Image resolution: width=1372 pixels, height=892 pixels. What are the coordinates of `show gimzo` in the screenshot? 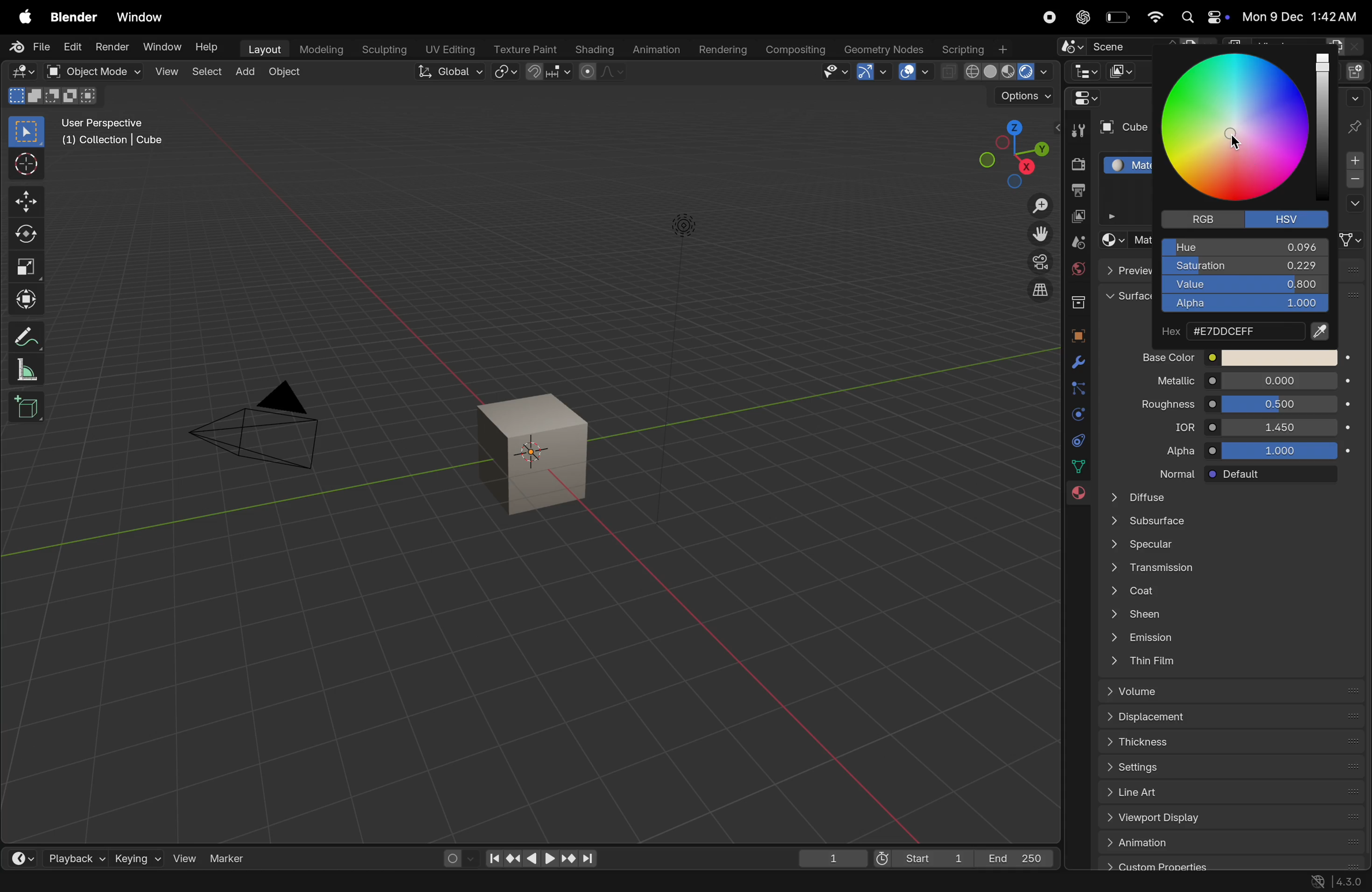 It's located at (872, 71).